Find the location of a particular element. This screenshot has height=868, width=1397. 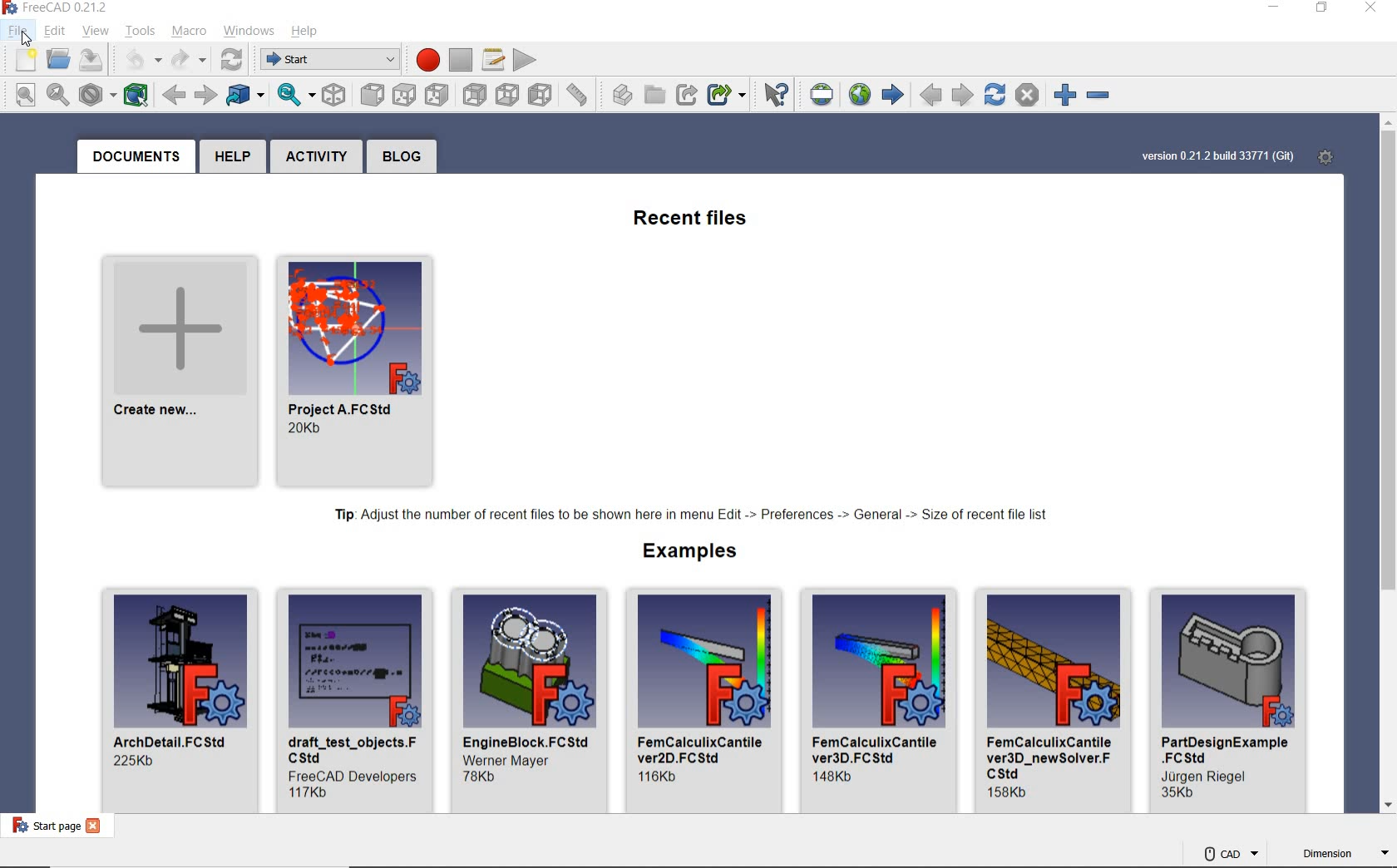

FIT SELECTION is located at coordinates (58, 96).